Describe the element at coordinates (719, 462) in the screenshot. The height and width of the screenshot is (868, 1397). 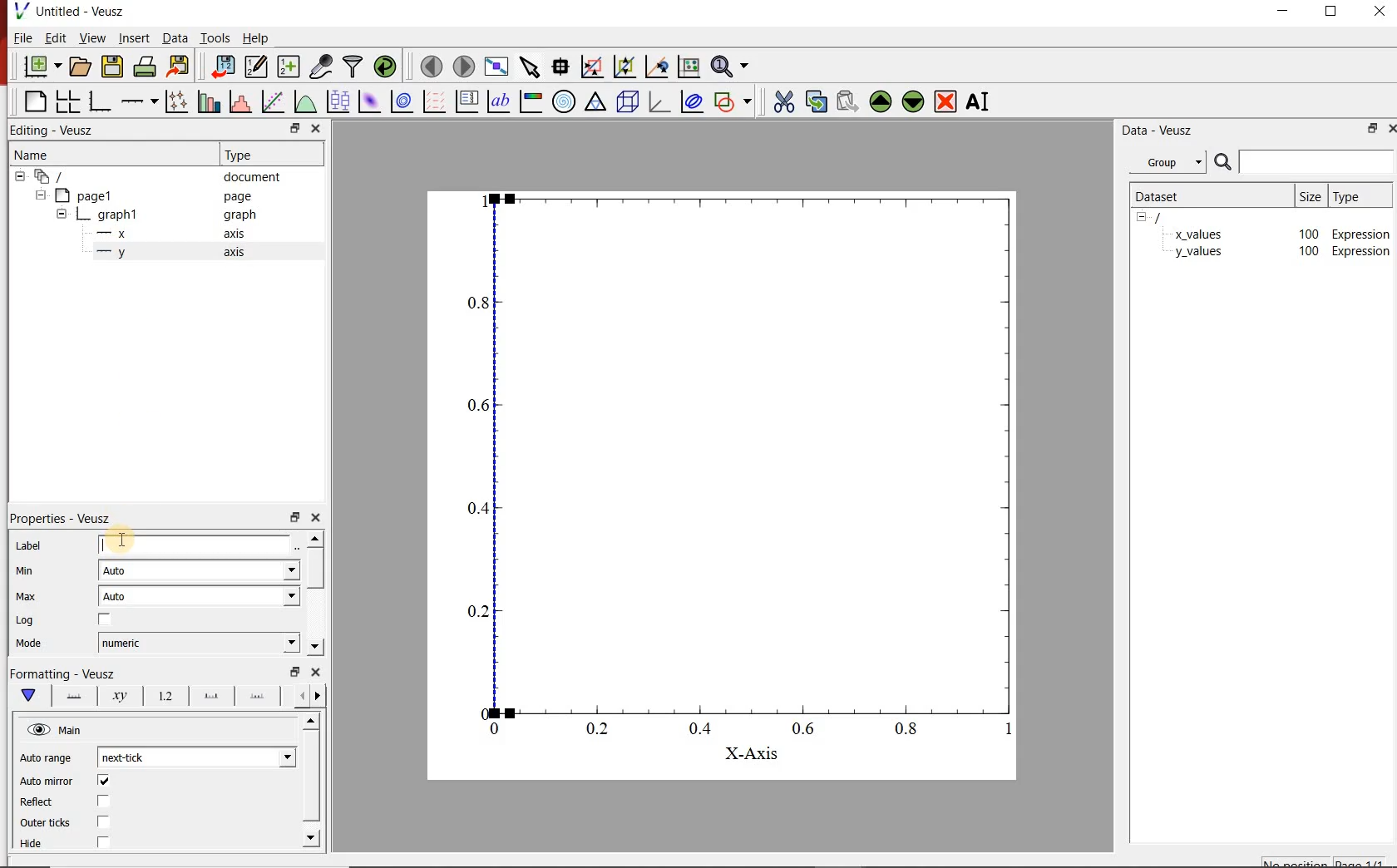
I see `graph` at that location.